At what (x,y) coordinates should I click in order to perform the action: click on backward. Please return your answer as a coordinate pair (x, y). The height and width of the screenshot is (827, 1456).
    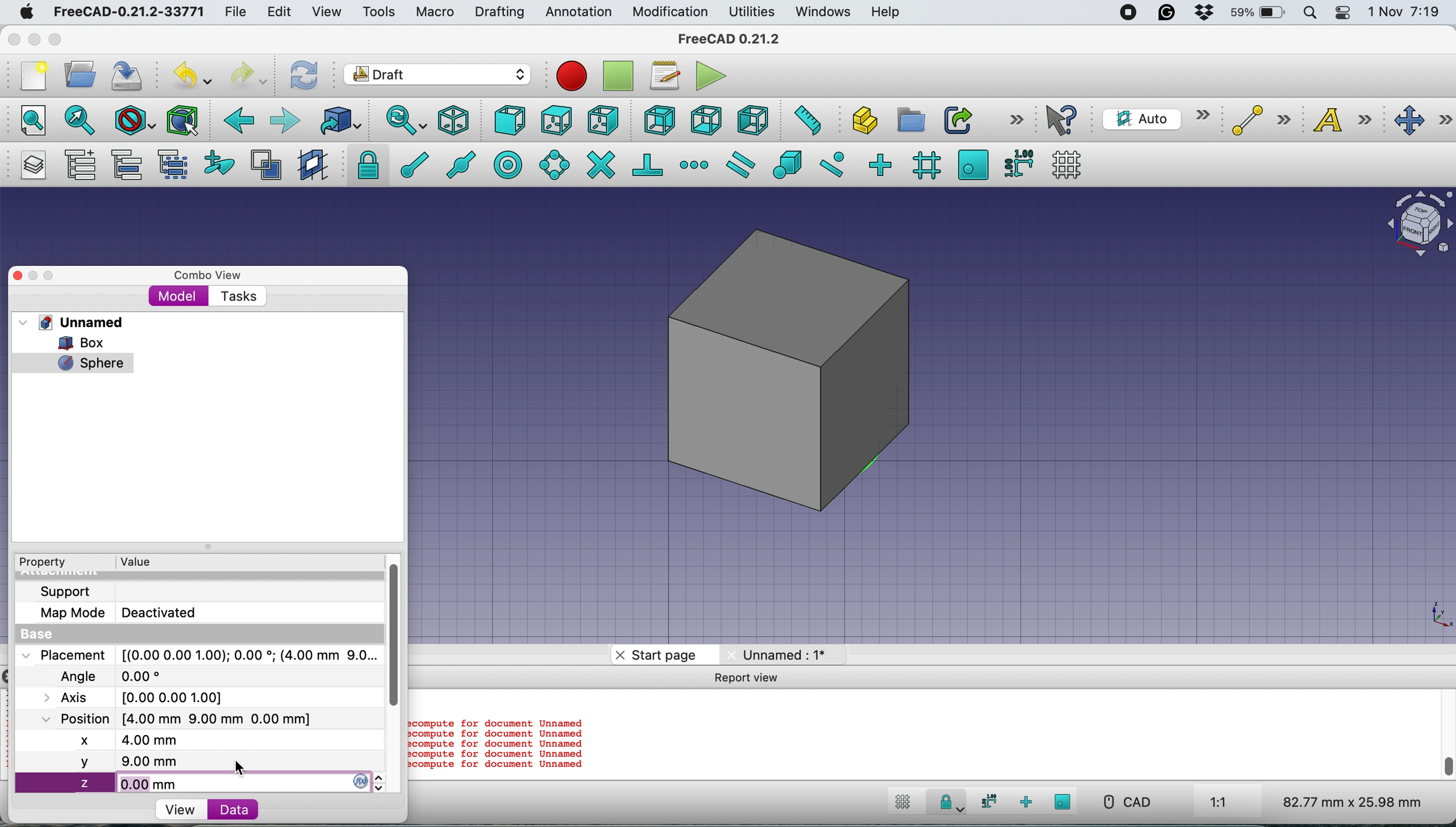
    Looking at the image, I should click on (236, 120).